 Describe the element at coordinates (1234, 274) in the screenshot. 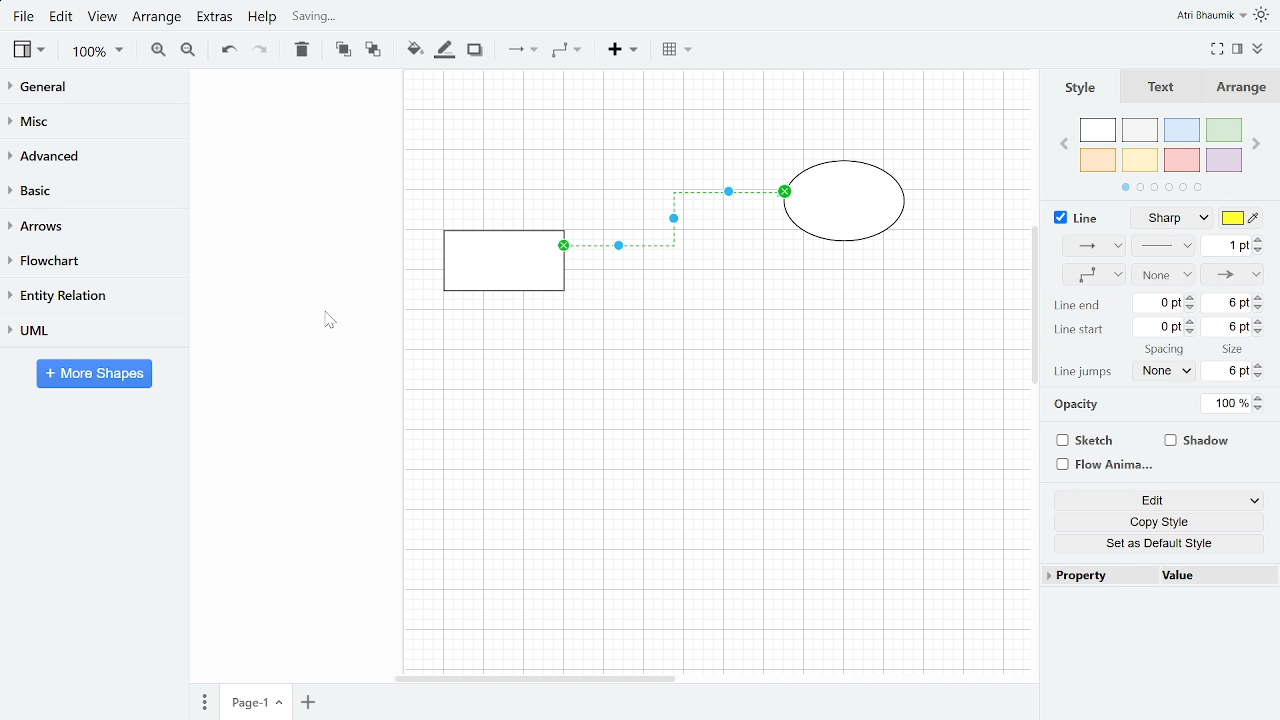

I see `Lie end` at that location.